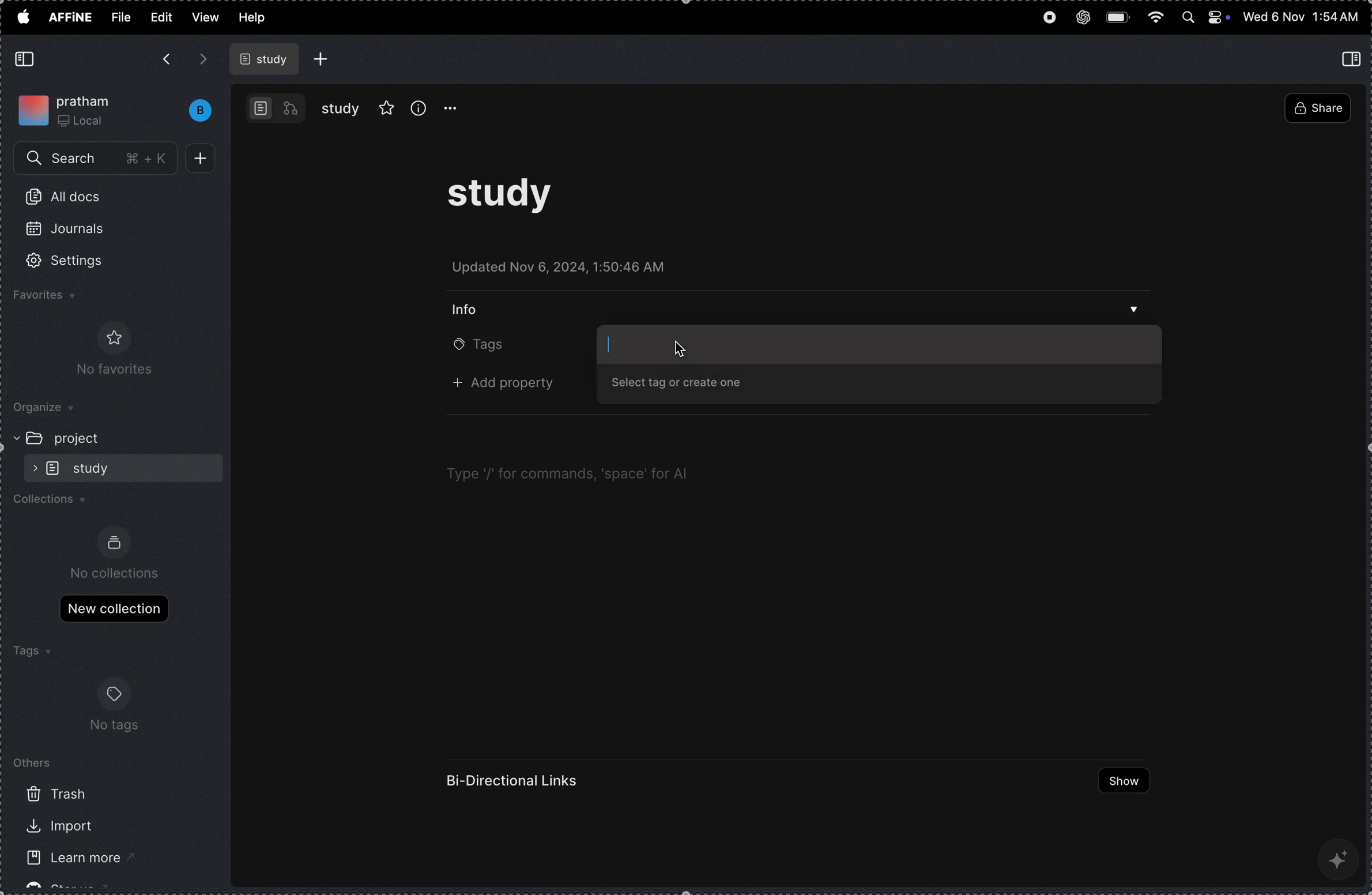  Describe the element at coordinates (341, 108) in the screenshot. I see `study` at that location.